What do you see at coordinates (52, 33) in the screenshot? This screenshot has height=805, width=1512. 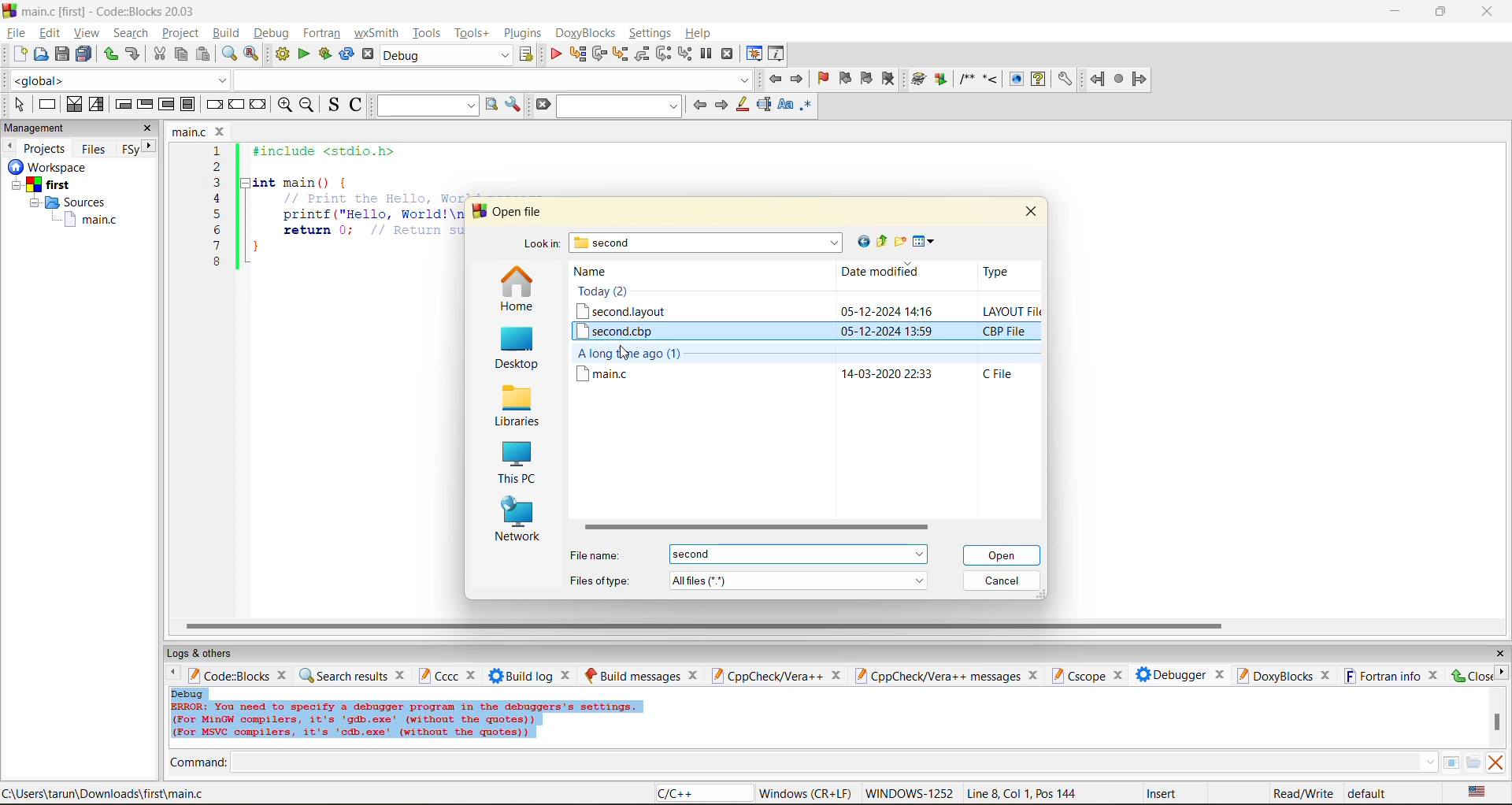 I see `edit` at bounding box center [52, 33].